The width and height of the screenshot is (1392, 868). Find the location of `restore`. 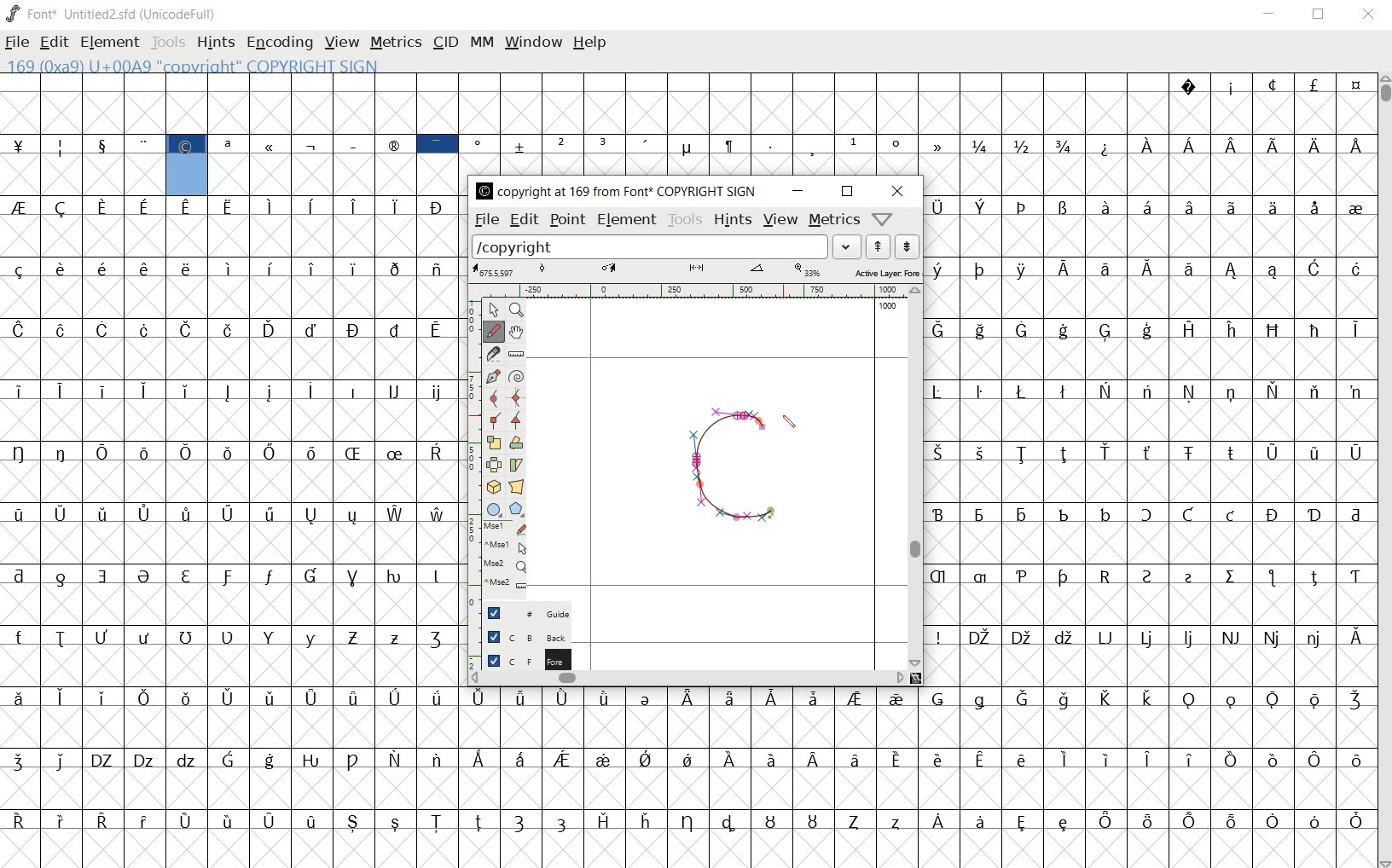

restore is located at coordinates (1320, 14).